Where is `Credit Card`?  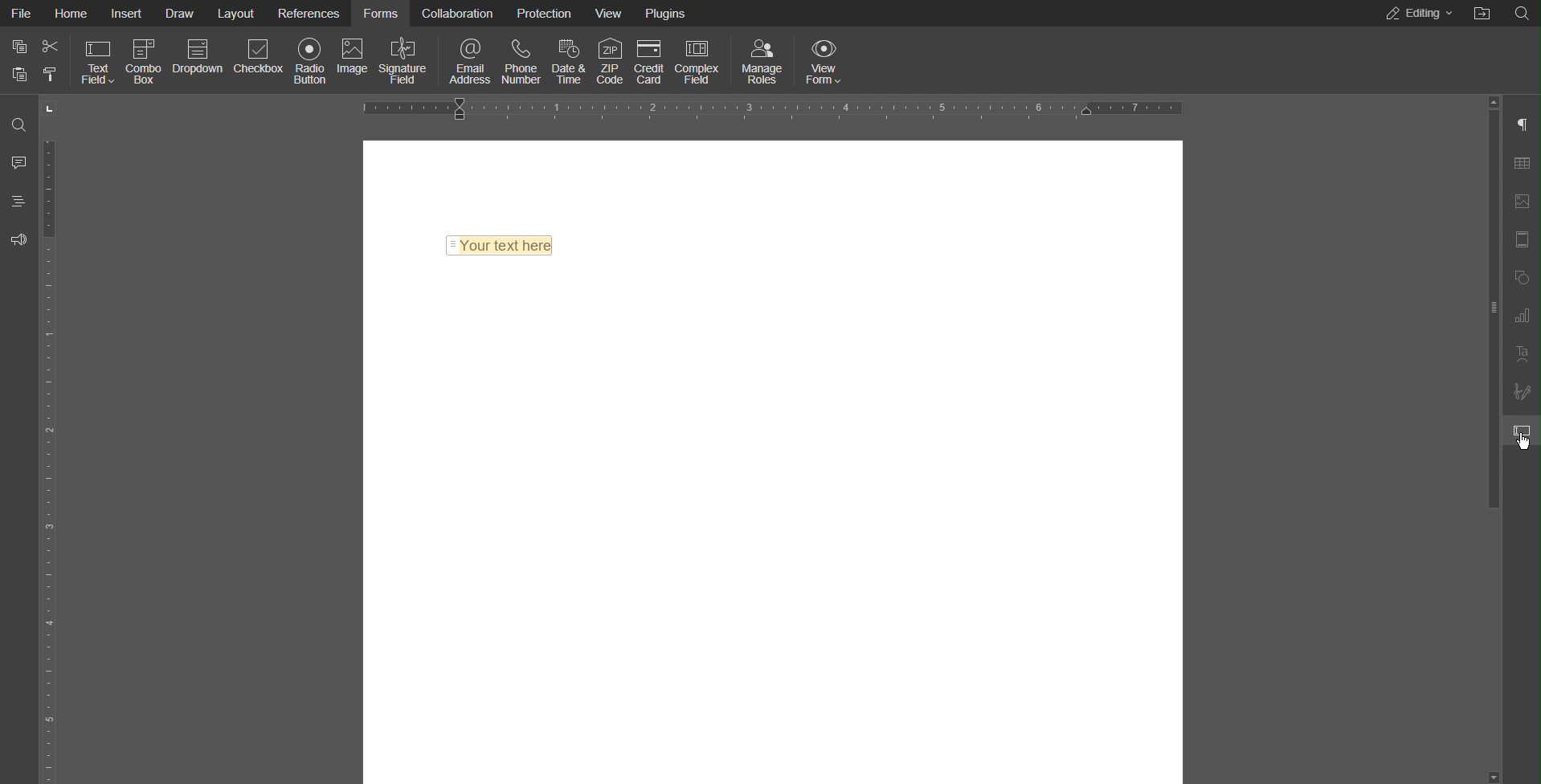 Credit Card is located at coordinates (650, 59).